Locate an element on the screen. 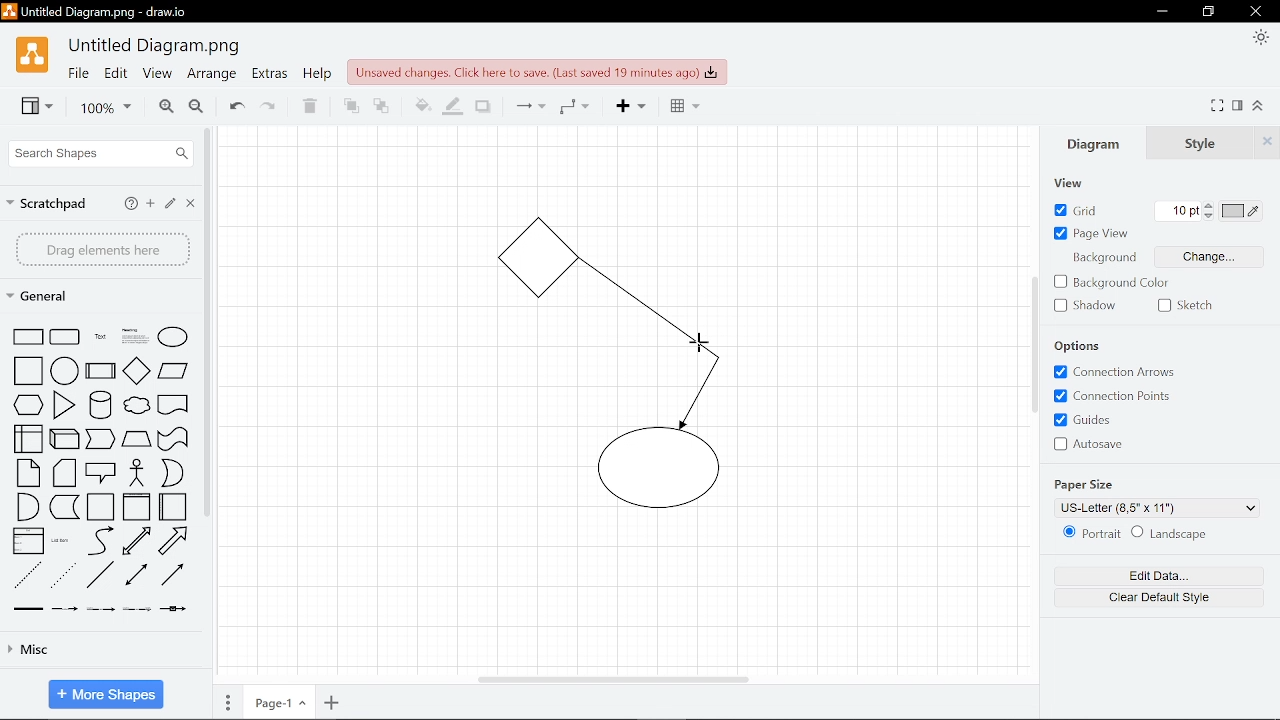  Misc is located at coordinates (102, 653).